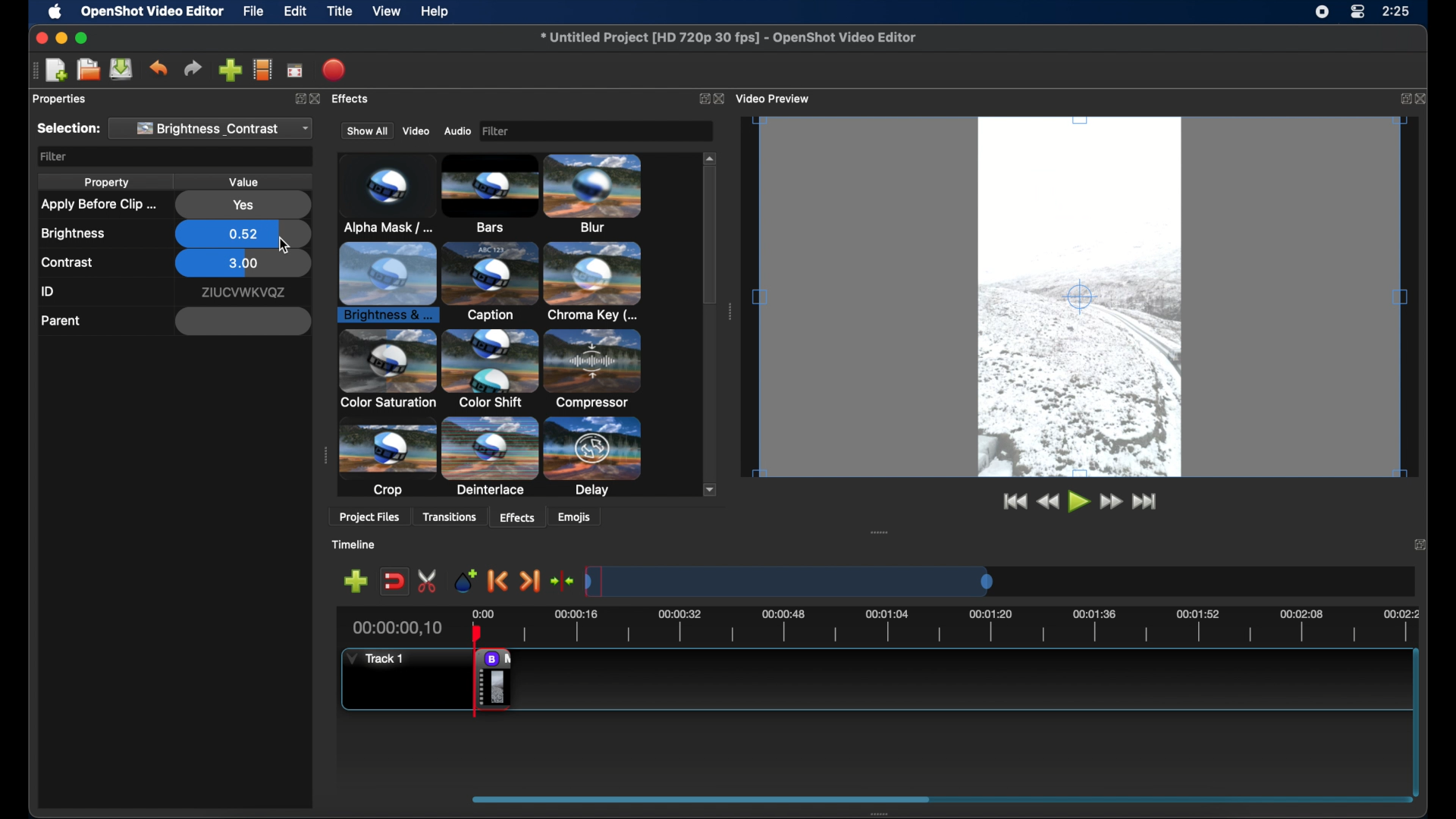 The image size is (1456, 819). I want to click on value, so click(246, 181).